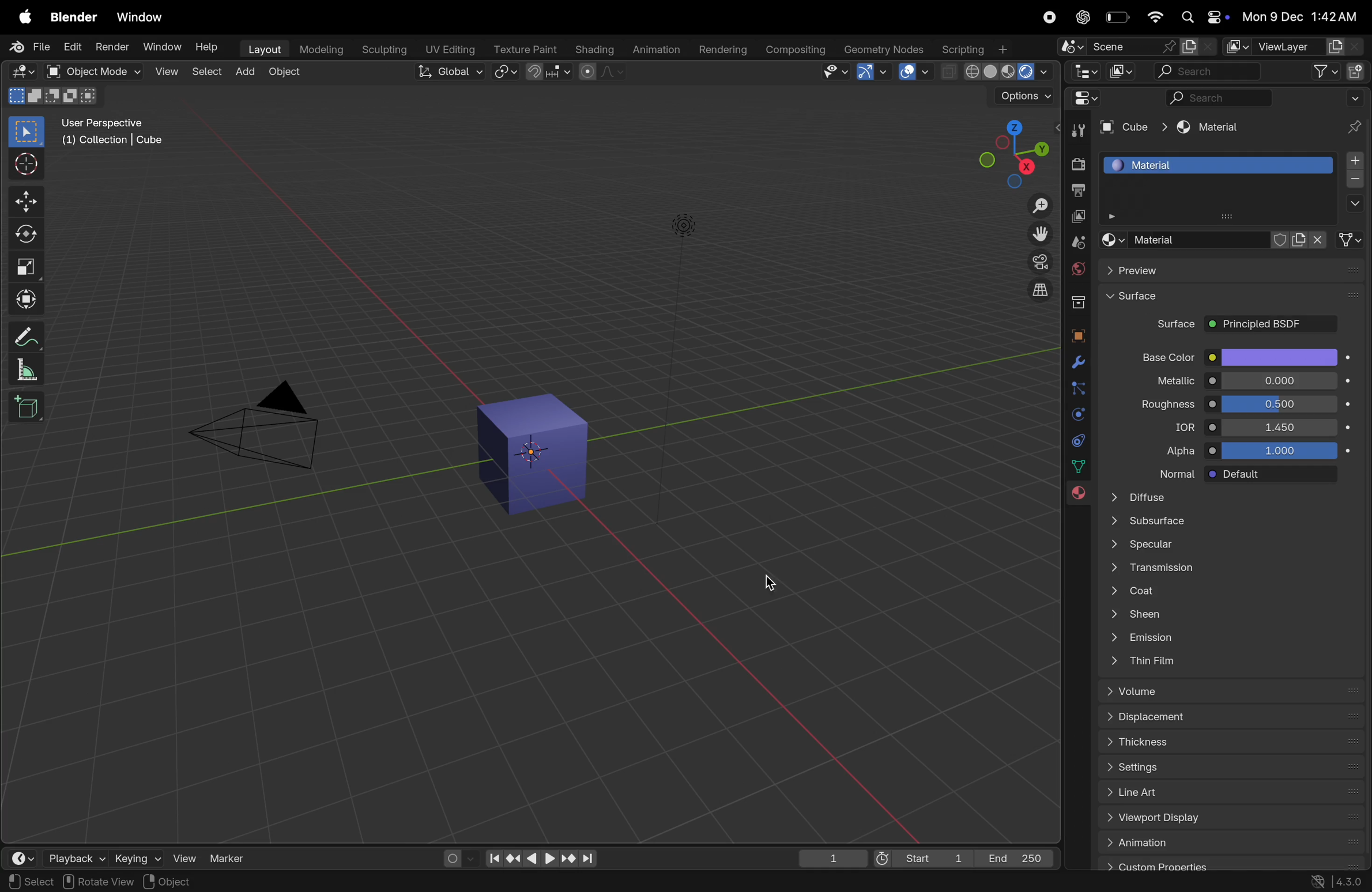 This screenshot has width=1372, height=892. I want to click on view port display, so click(1227, 819).